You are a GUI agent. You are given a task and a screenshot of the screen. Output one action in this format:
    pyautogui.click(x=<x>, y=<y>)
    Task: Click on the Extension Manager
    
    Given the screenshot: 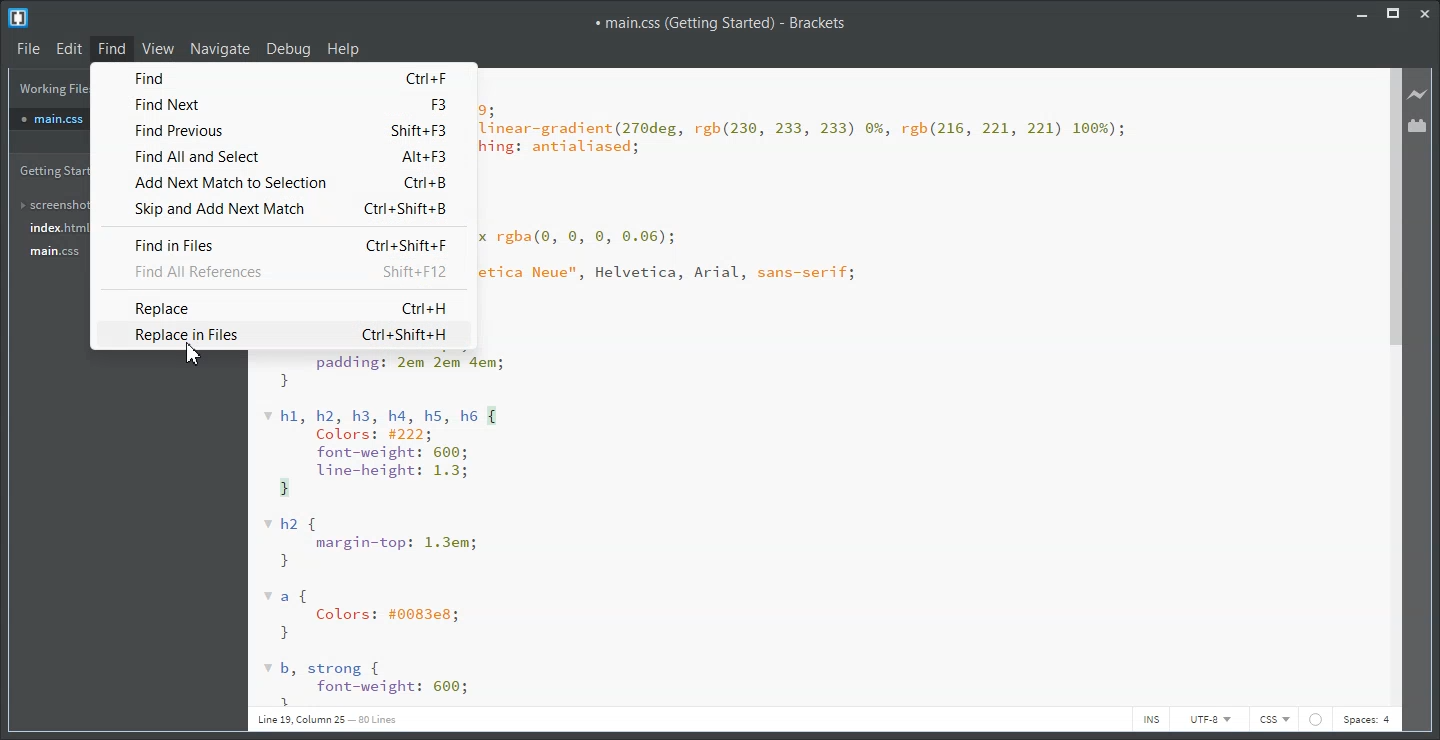 What is the action you would take?
    pyautogui.click(x=1418, y=125)
    